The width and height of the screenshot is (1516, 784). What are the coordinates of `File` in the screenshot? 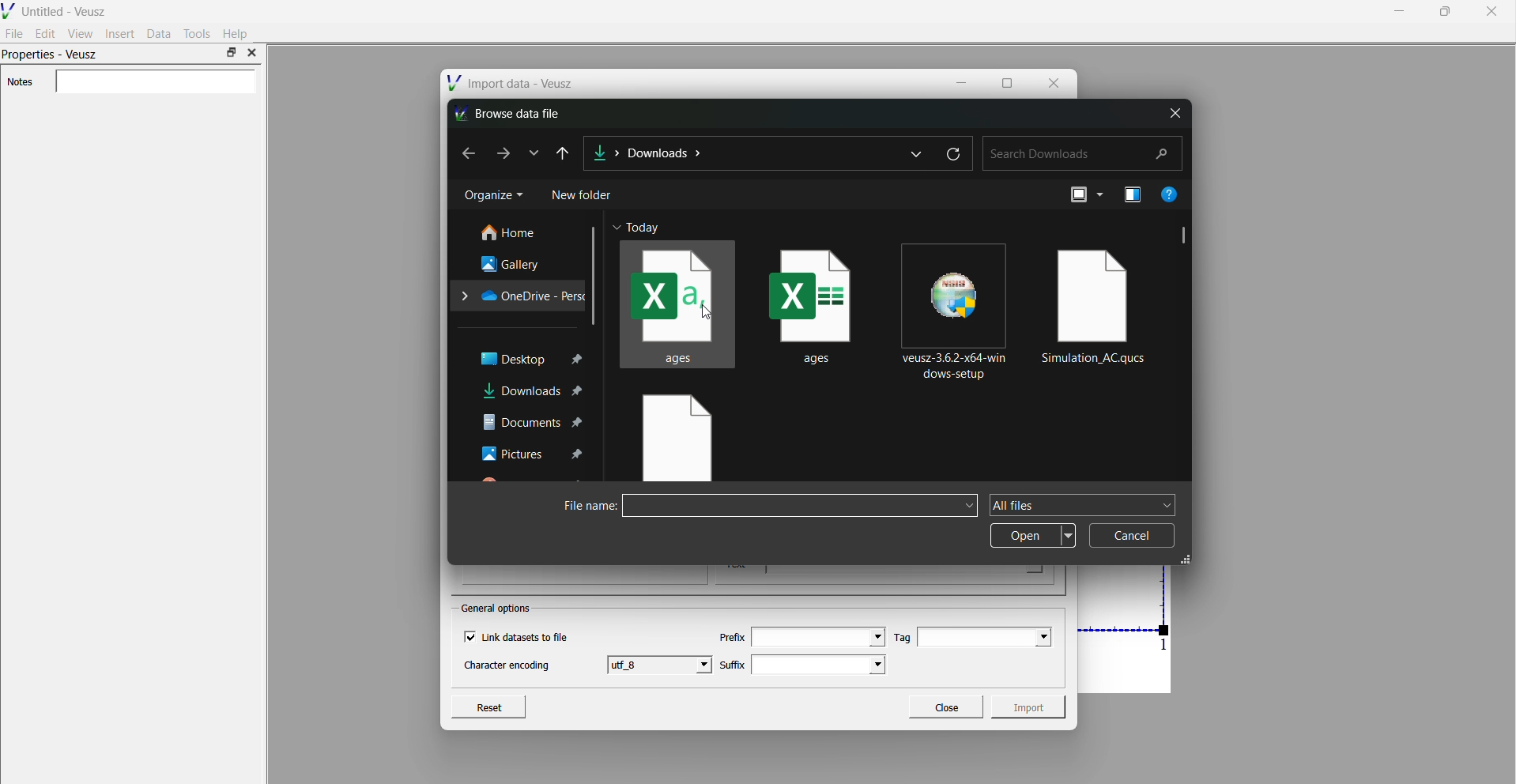 It's located at (15, 32).